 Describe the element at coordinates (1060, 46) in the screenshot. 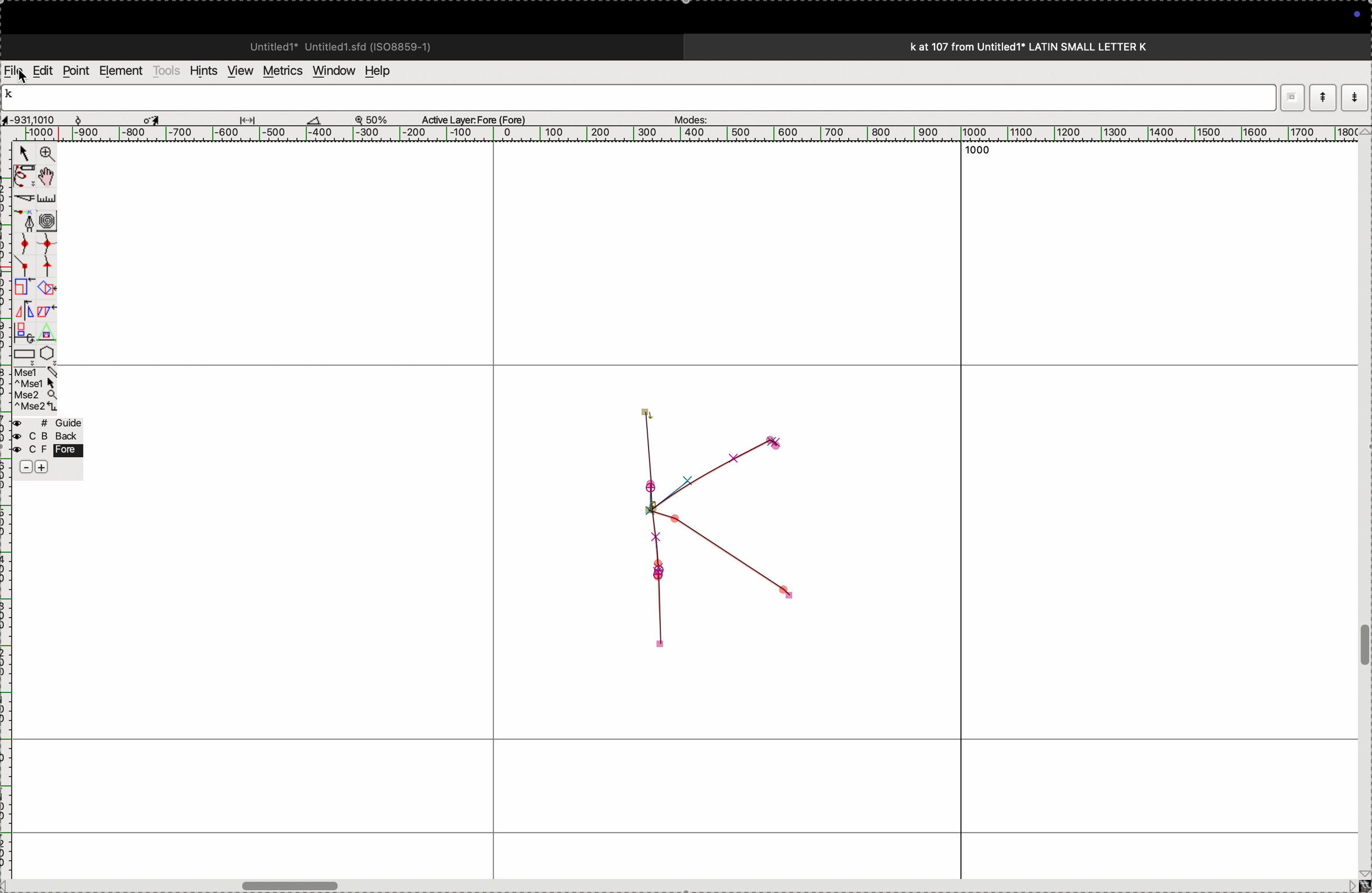

I see `title` at that location.